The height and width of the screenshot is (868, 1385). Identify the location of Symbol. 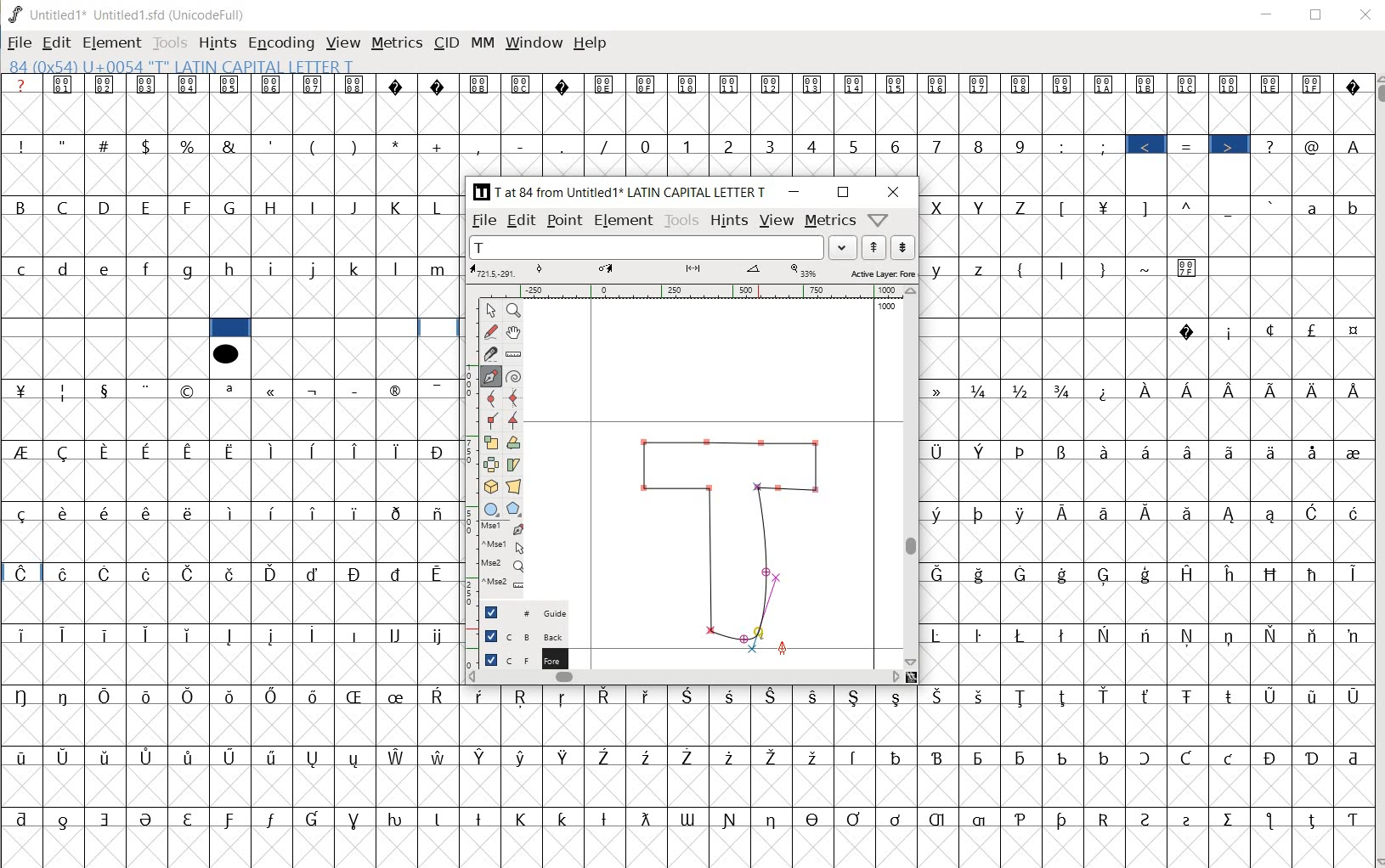
(982, 757).